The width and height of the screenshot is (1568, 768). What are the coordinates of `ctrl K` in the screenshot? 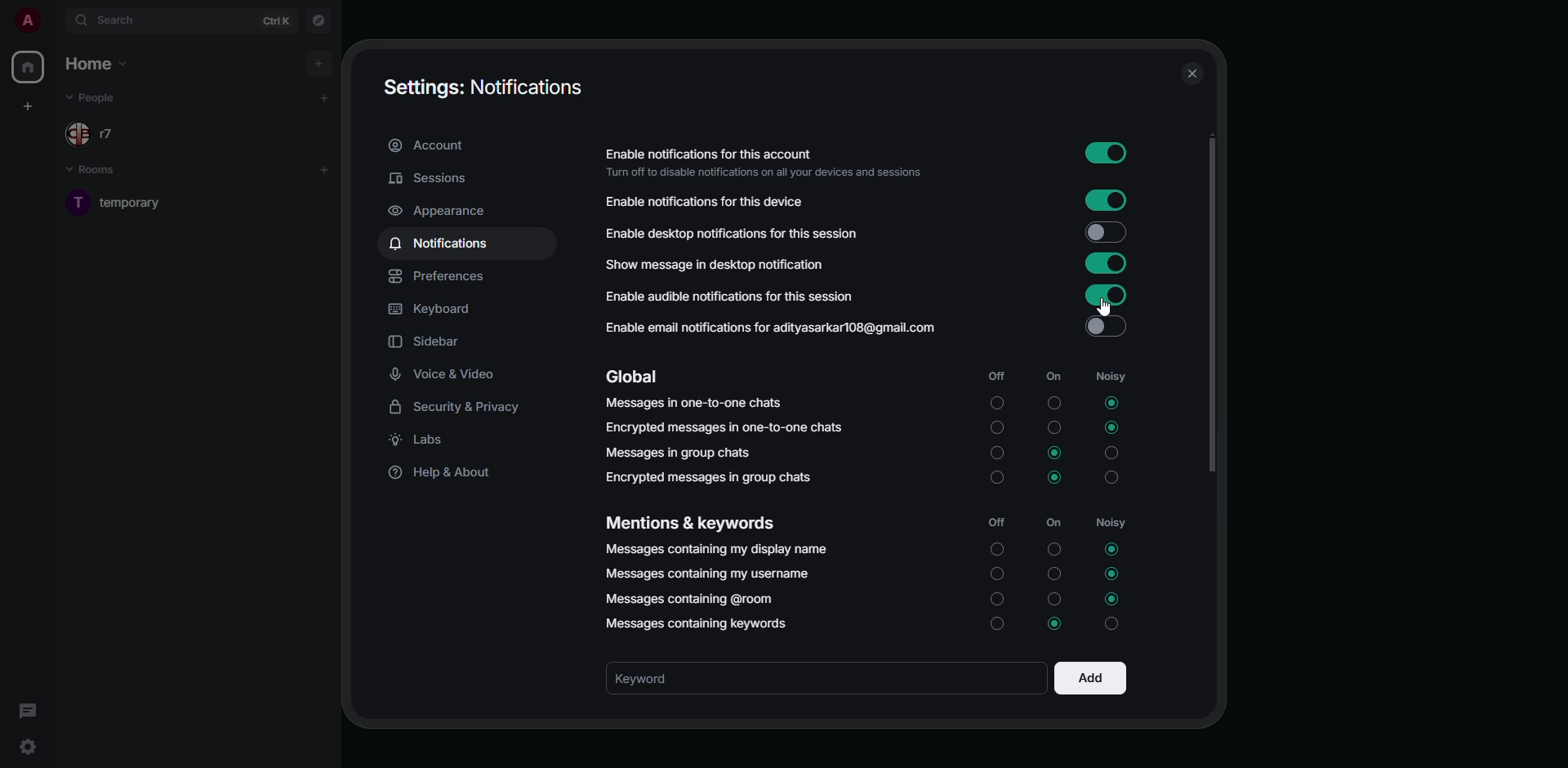 It's located at (276, 21).